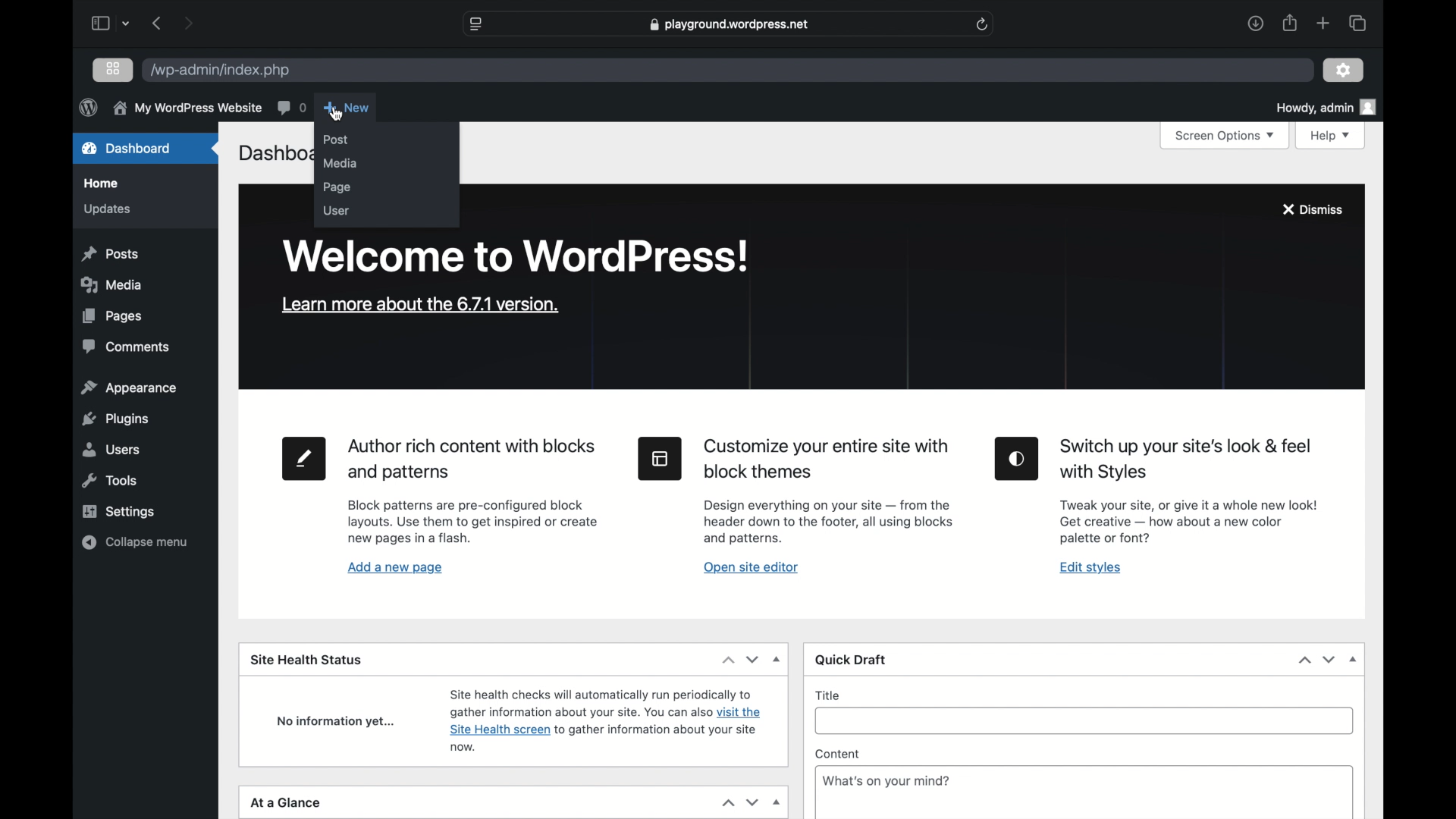 This screenshot has width=1456, height=819. I want to click on quick draft, so click(852, 661).